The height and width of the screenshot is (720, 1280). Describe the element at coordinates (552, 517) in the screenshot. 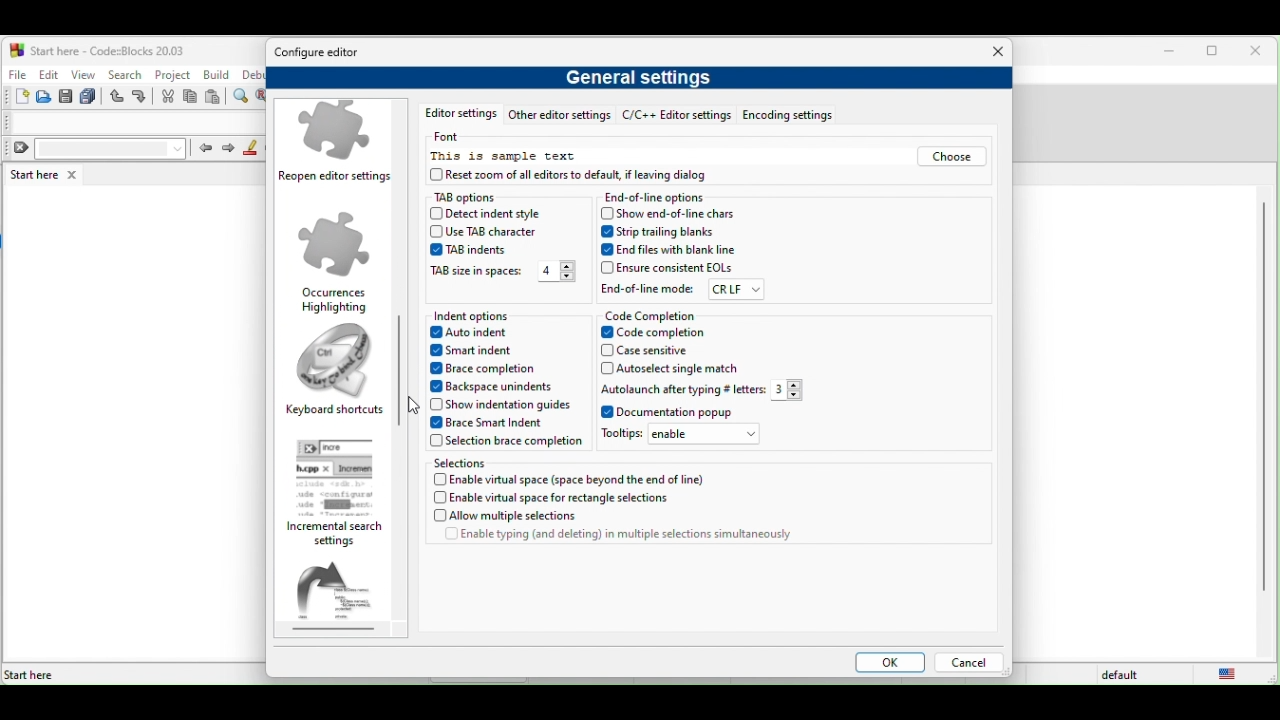

I see `allow multiple selections` at that location.